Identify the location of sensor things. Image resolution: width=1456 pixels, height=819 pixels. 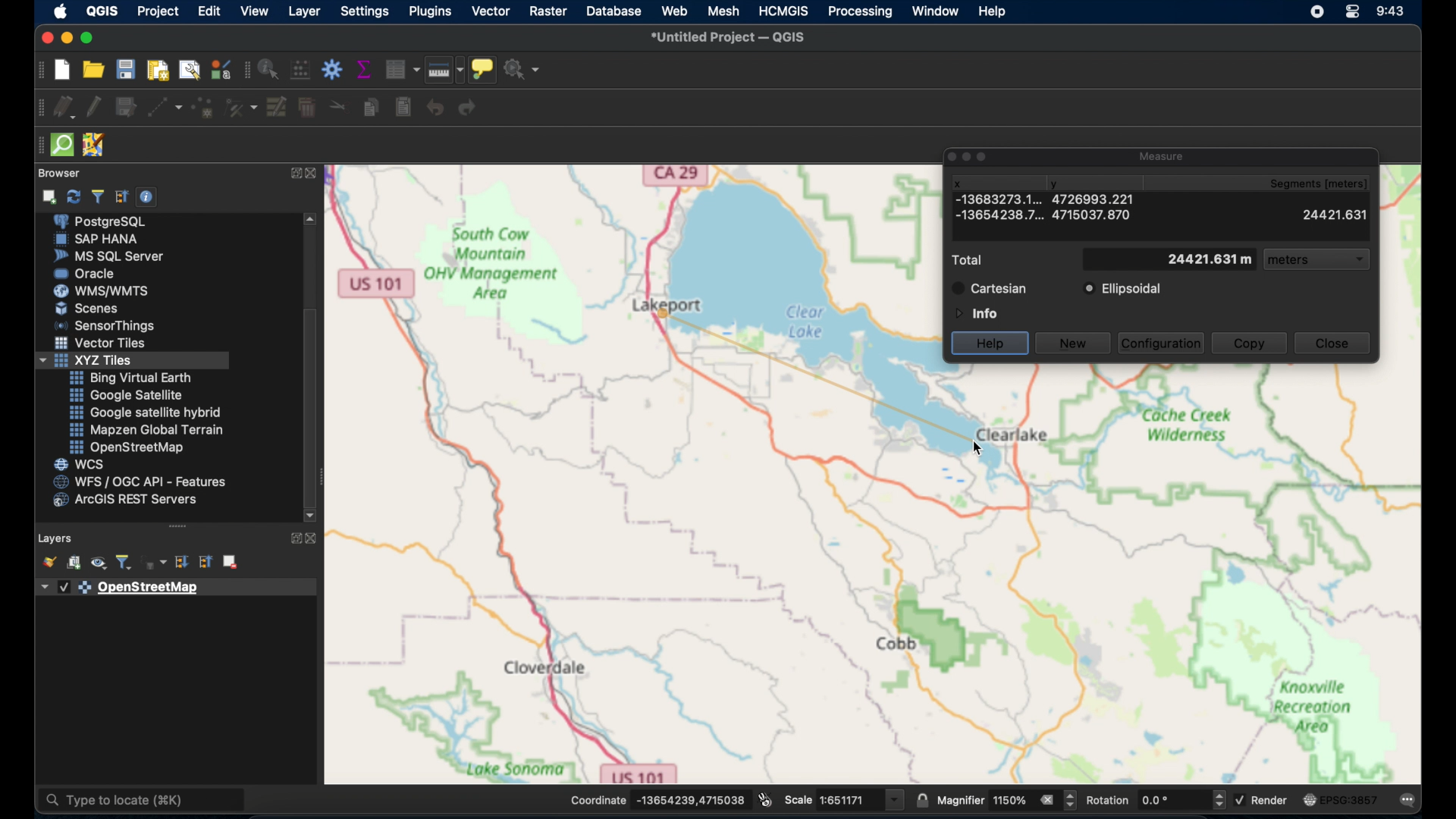
(108, 325).